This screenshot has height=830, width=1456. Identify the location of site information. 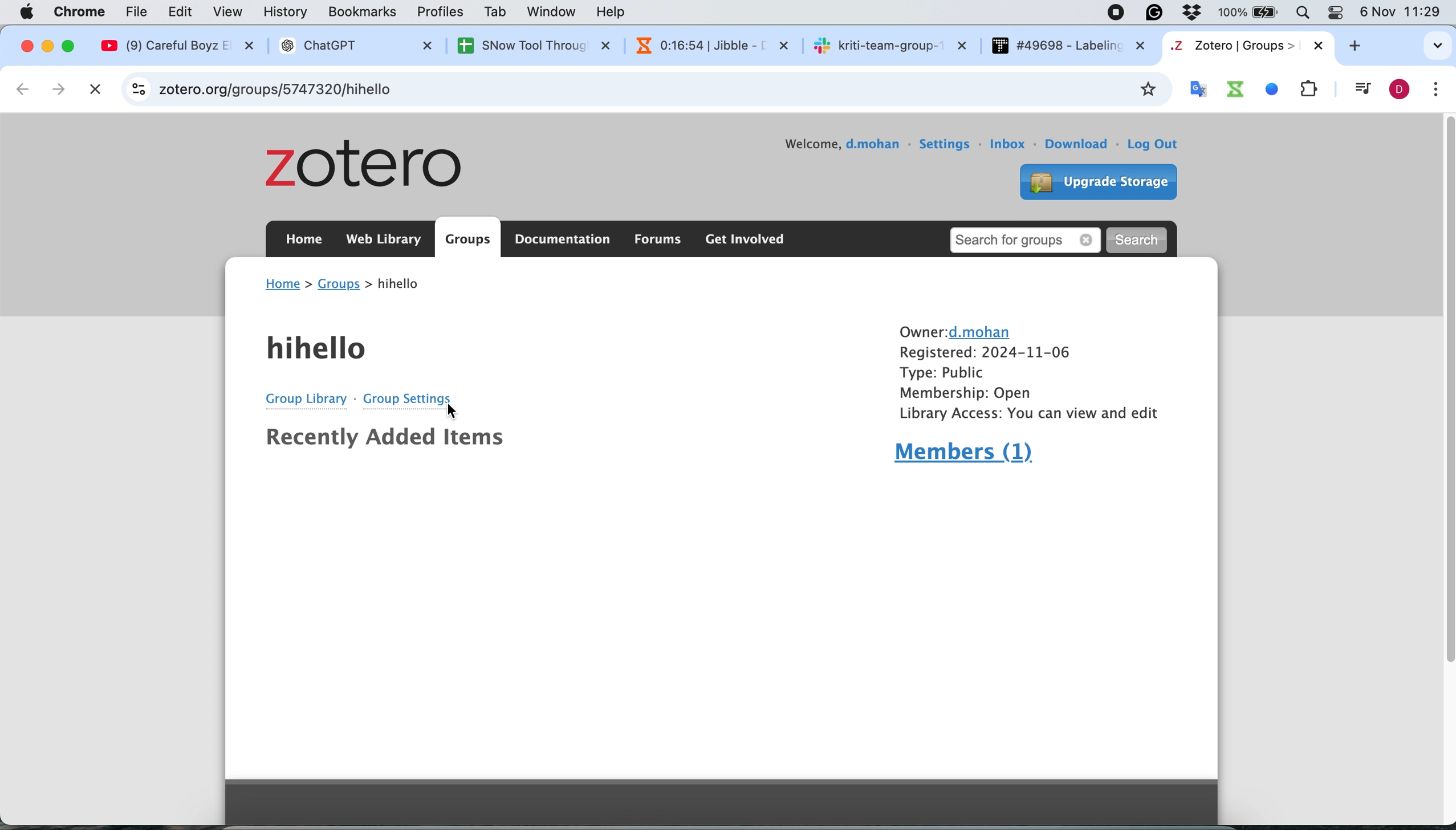
(139, 88).